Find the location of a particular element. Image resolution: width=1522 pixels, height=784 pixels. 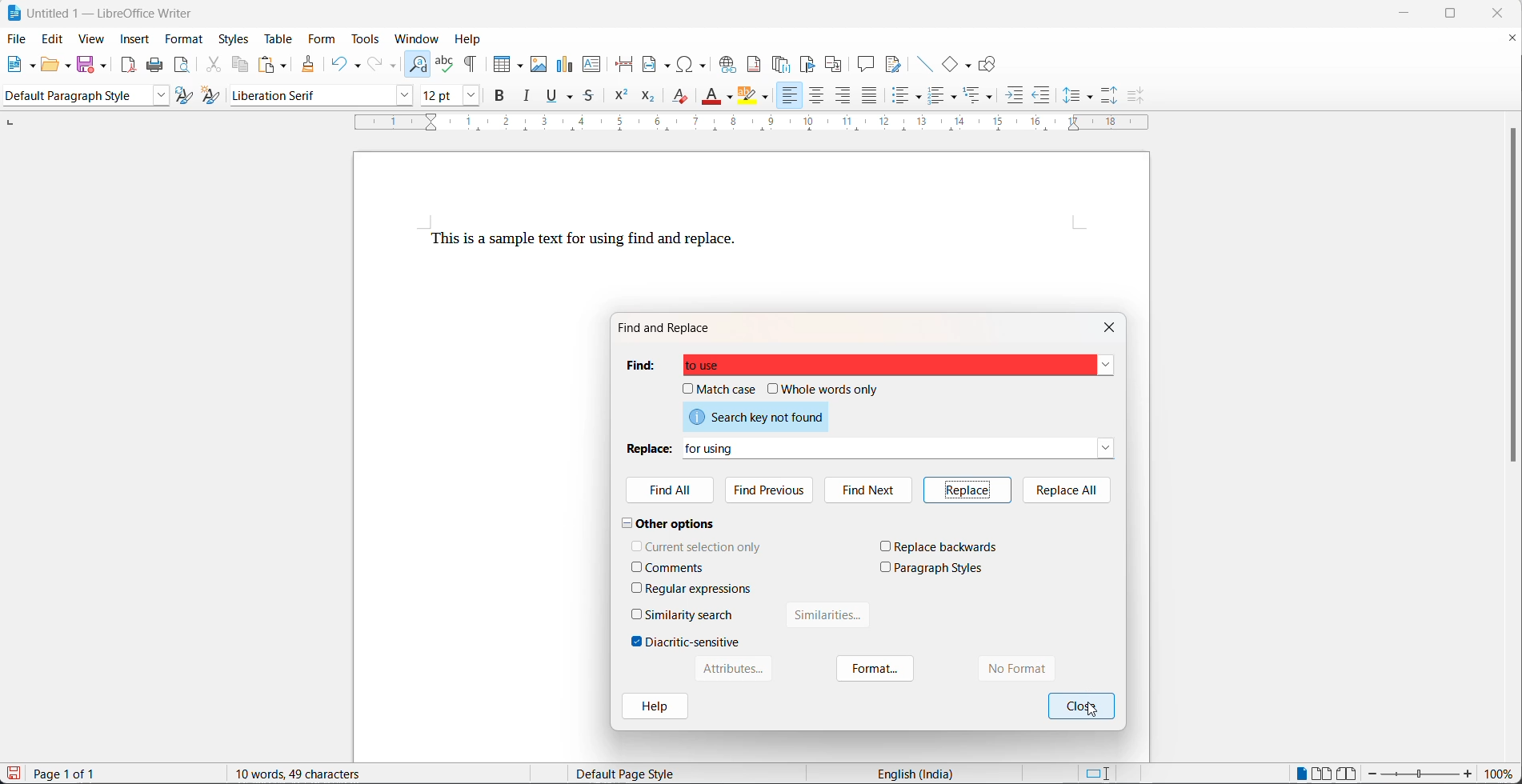

styles is located at coordinates (234, 38).